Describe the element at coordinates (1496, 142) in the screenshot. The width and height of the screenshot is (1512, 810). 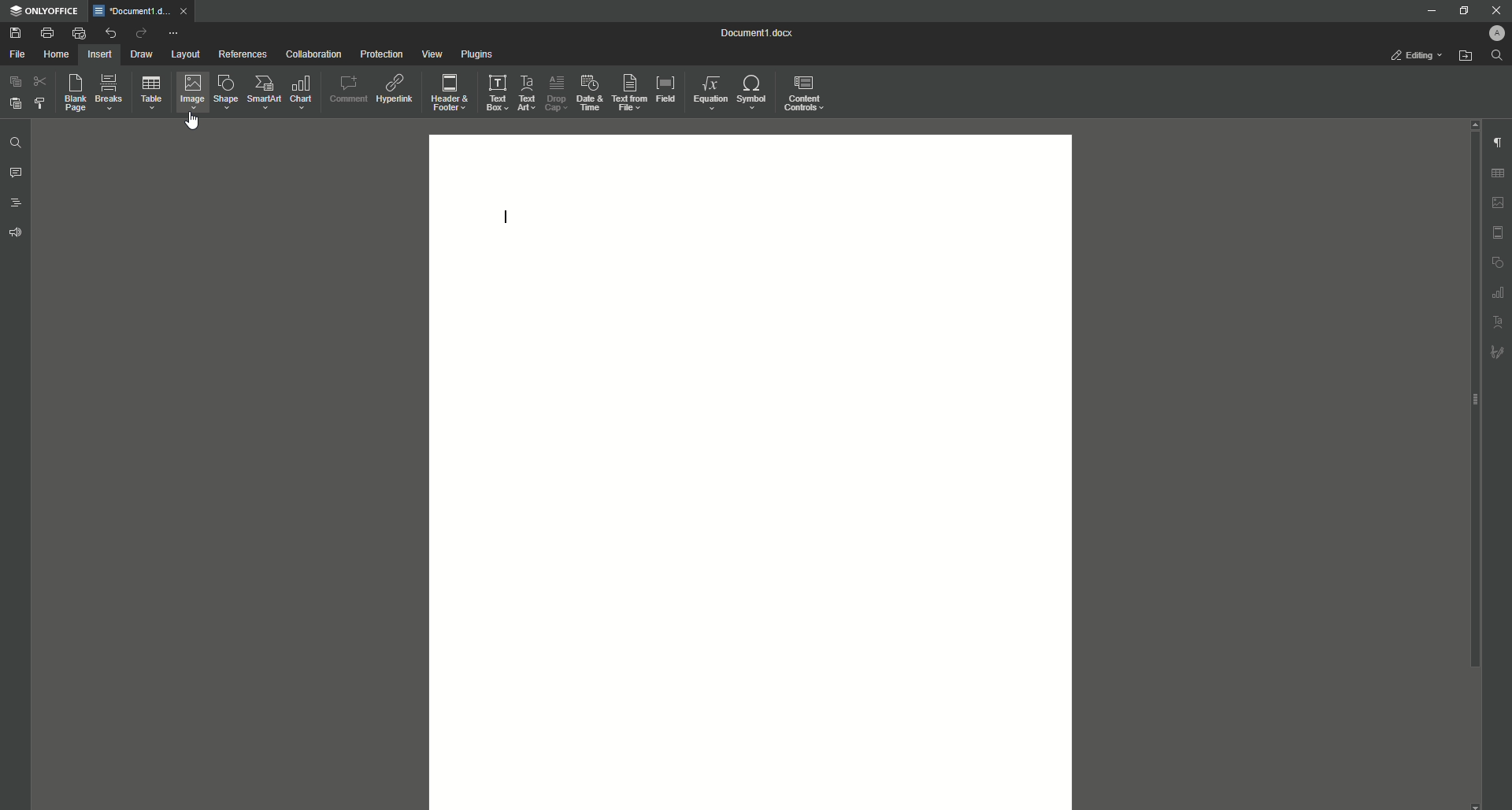
I see `Paragraph Settings` at that location.